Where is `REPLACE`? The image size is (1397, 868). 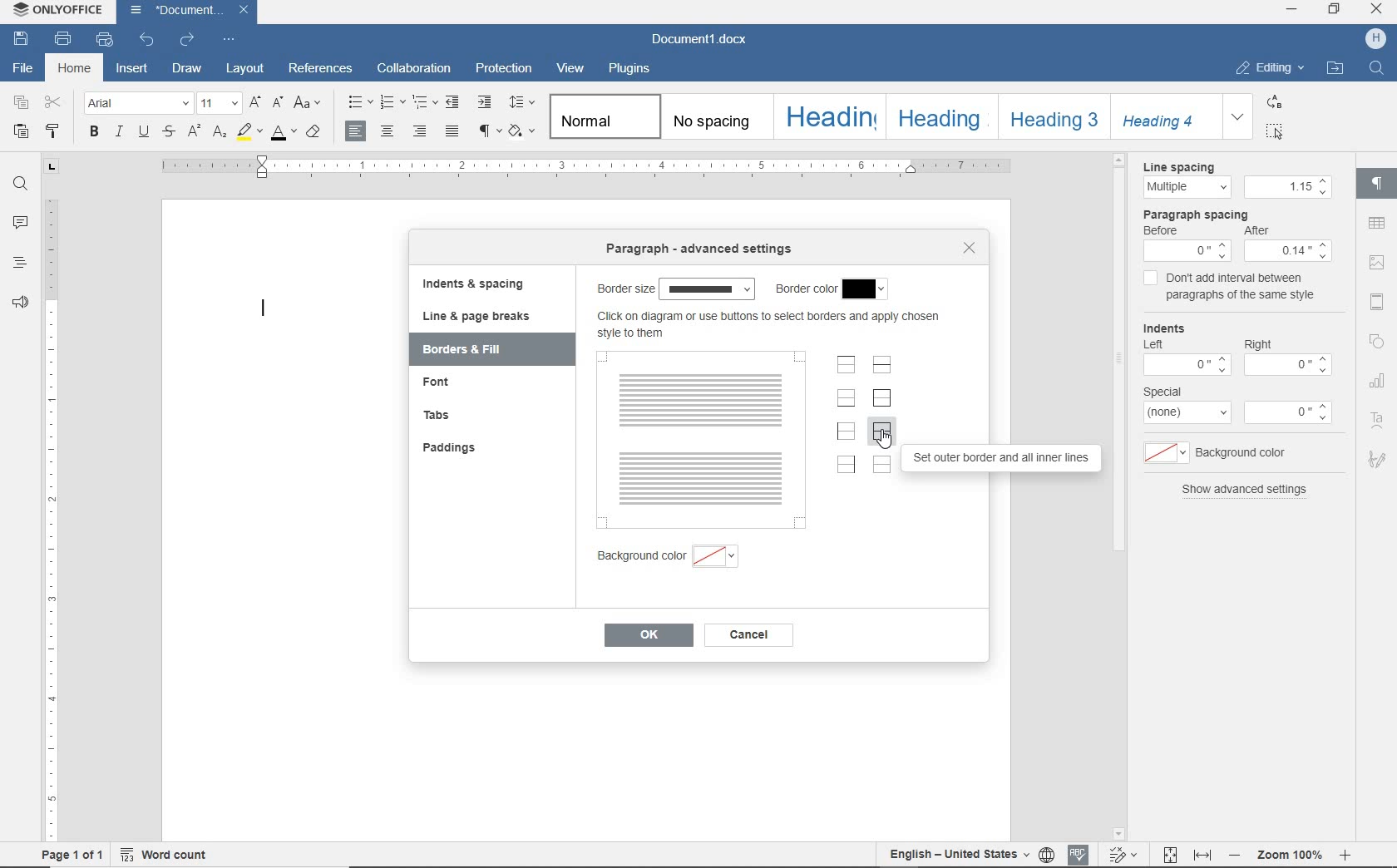 REPLACE is located at coordinates (1274, 102).